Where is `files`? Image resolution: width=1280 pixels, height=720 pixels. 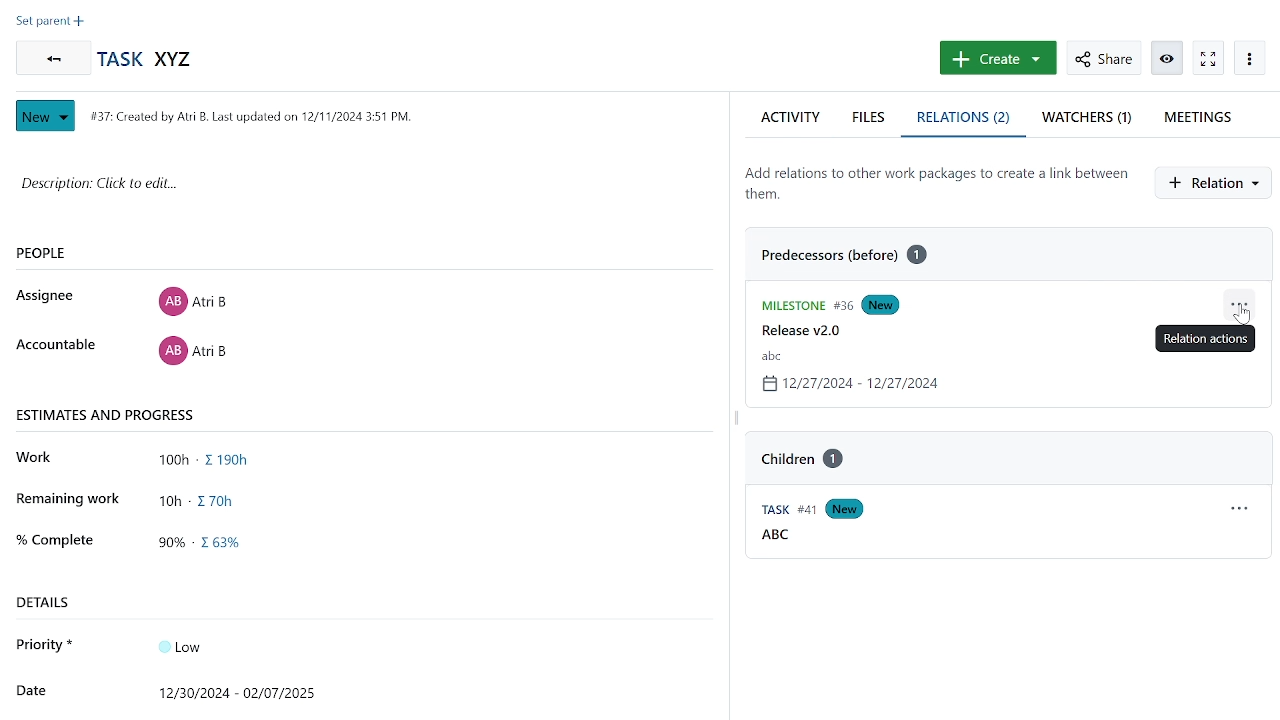 files is located at coordinates (871, 117).